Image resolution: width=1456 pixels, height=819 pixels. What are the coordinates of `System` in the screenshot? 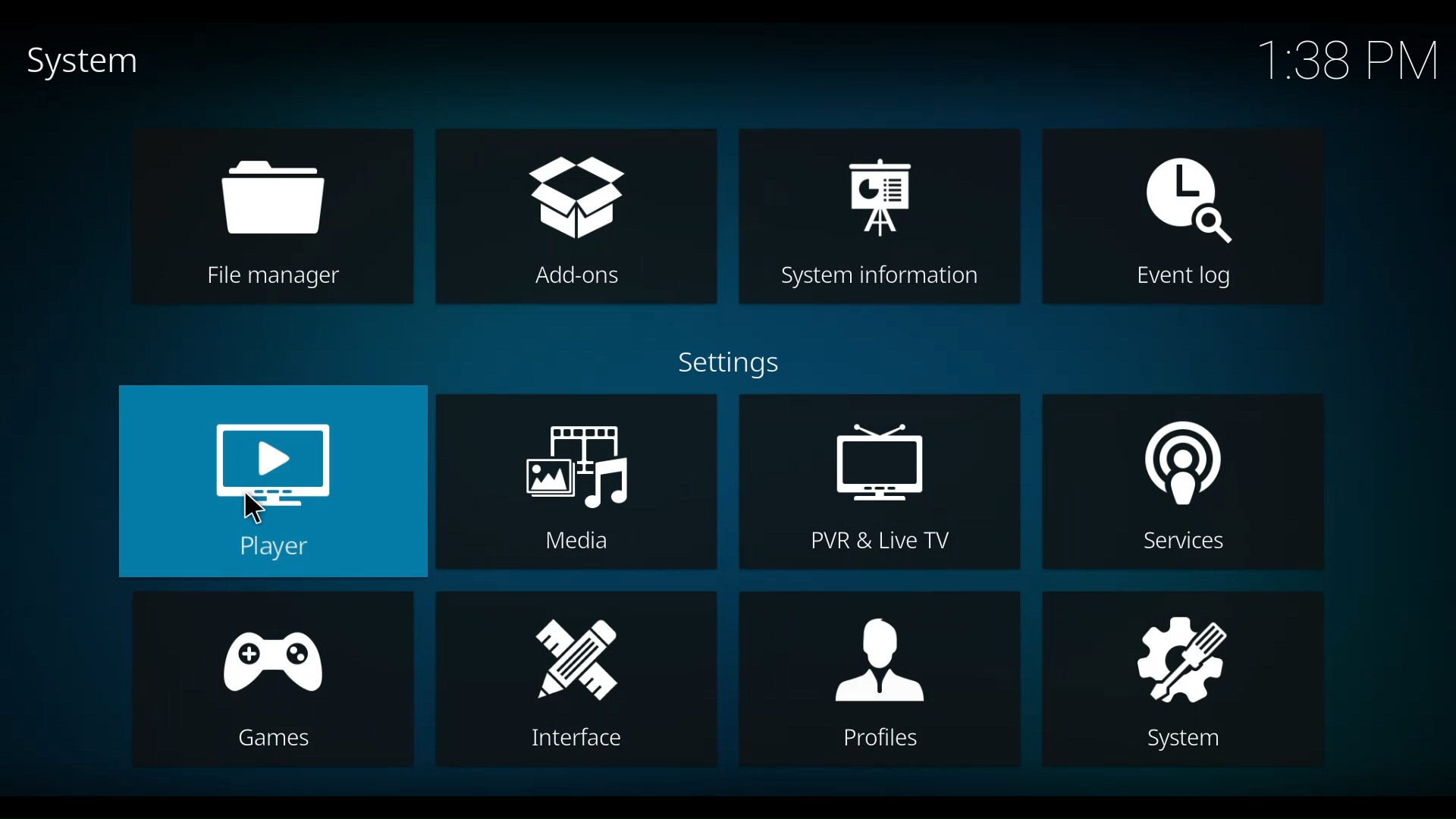 It's located at (85, 64).